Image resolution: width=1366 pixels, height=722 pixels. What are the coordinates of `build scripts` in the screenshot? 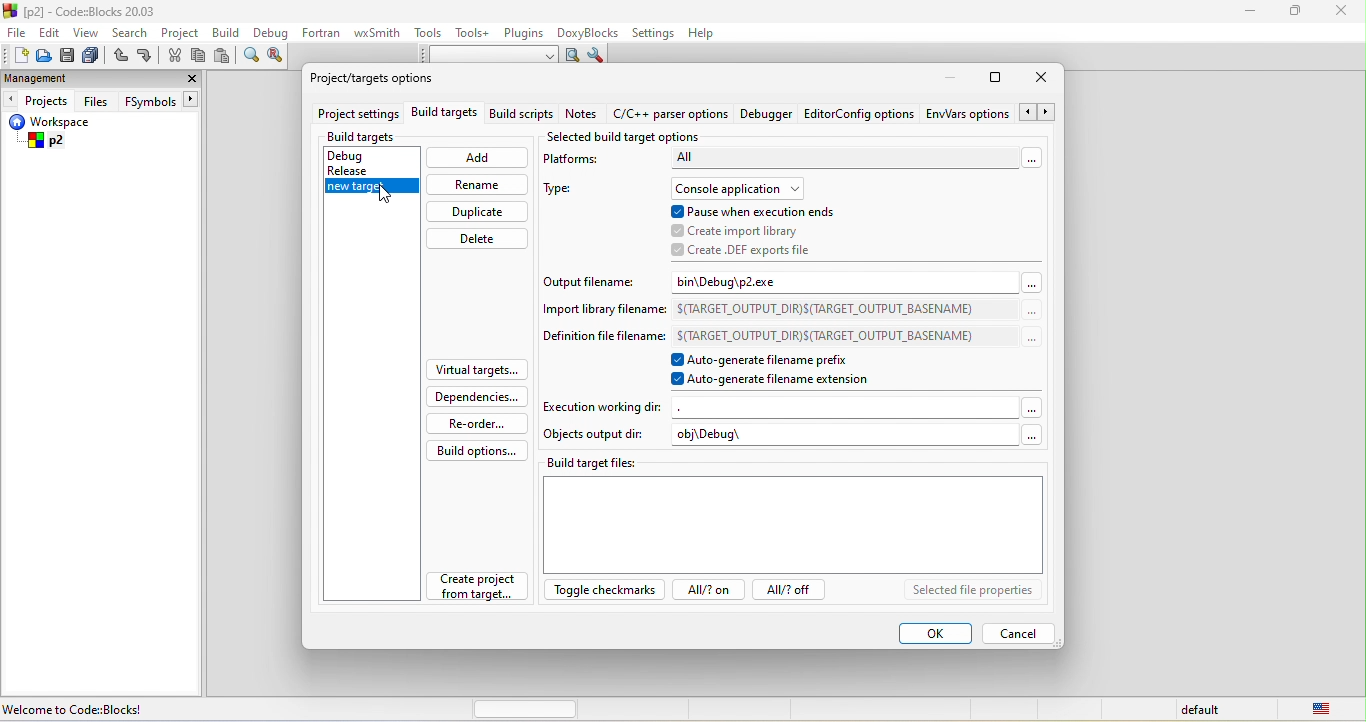 It's located at (520, 116).